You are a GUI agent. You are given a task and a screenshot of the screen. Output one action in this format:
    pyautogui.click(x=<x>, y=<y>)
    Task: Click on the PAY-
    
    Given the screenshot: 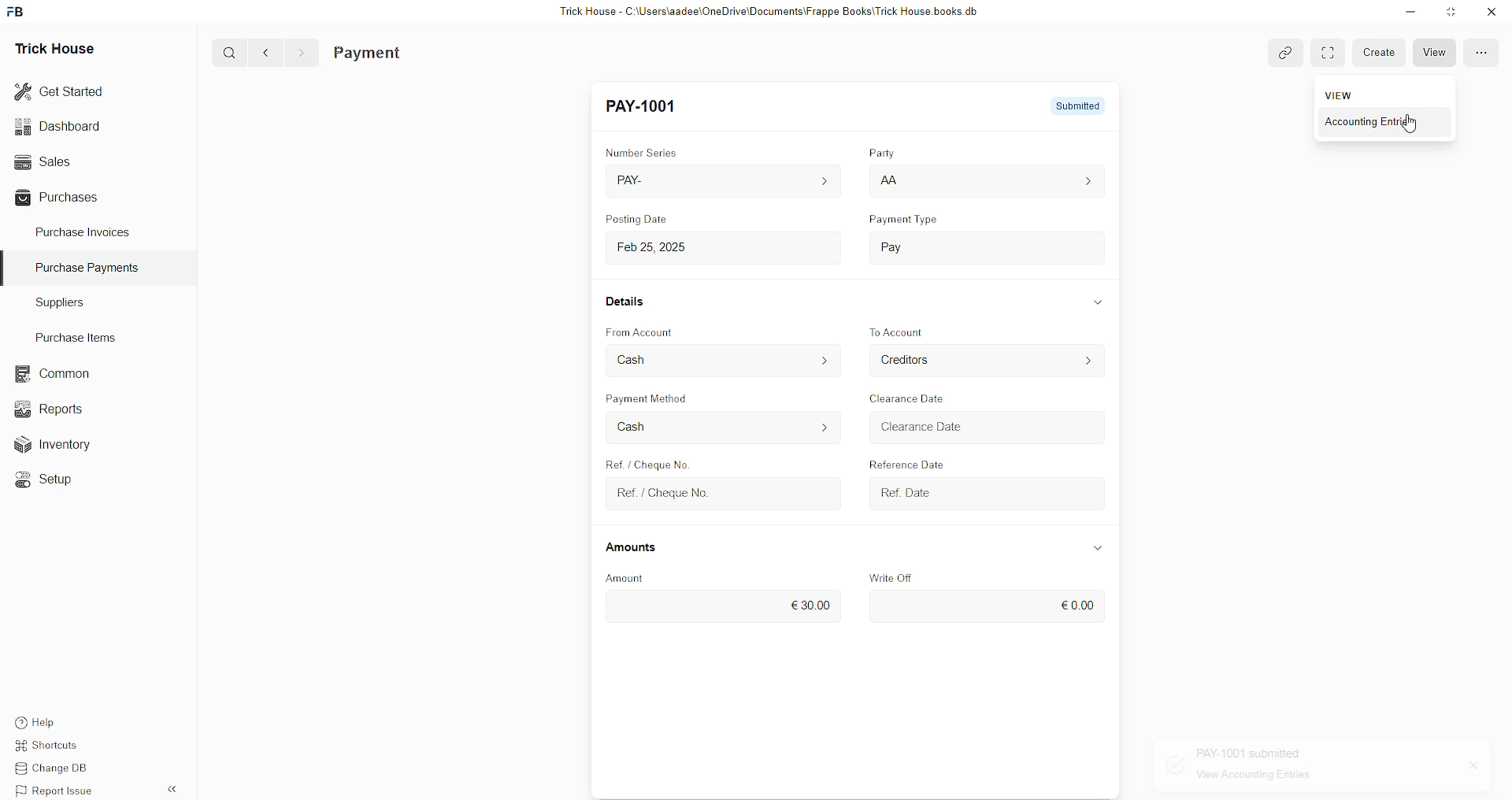 What is the action you would take?
    pyautogui.click(x=643, y=183)
    